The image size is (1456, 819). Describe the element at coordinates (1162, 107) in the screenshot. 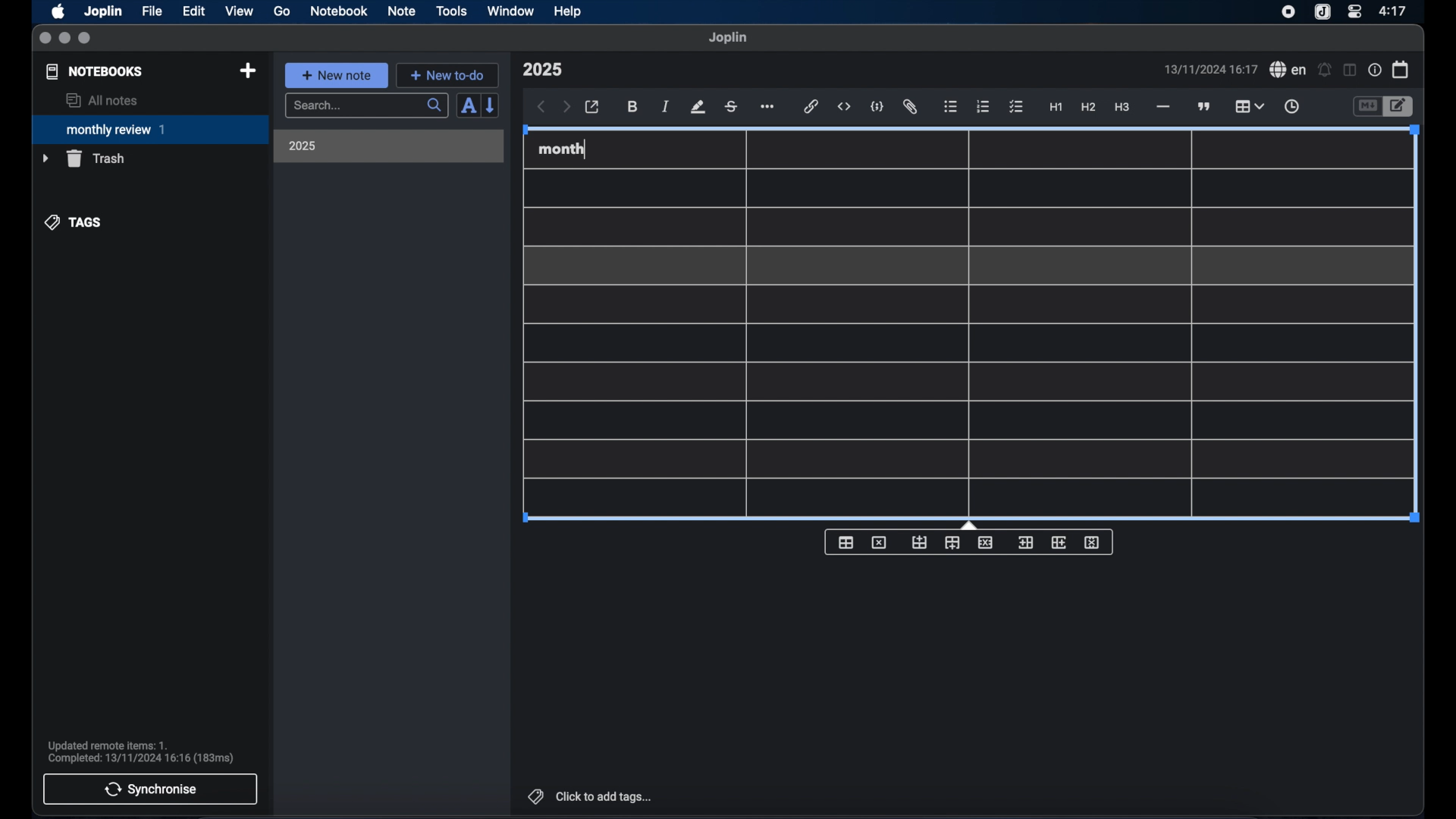

I see `horizontal rule` at that location.